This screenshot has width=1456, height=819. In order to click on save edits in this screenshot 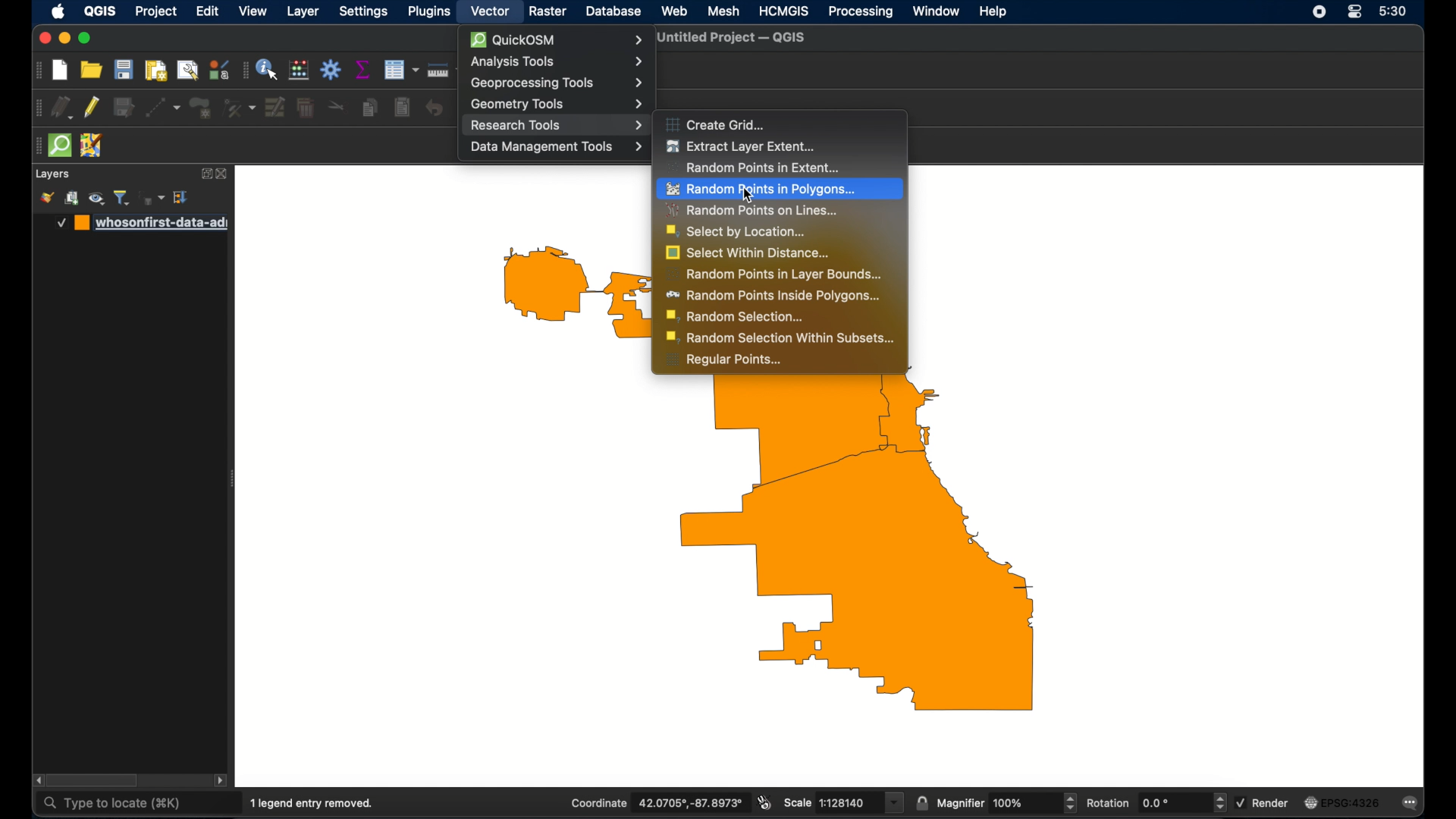, I will do `click(122, 105)`.